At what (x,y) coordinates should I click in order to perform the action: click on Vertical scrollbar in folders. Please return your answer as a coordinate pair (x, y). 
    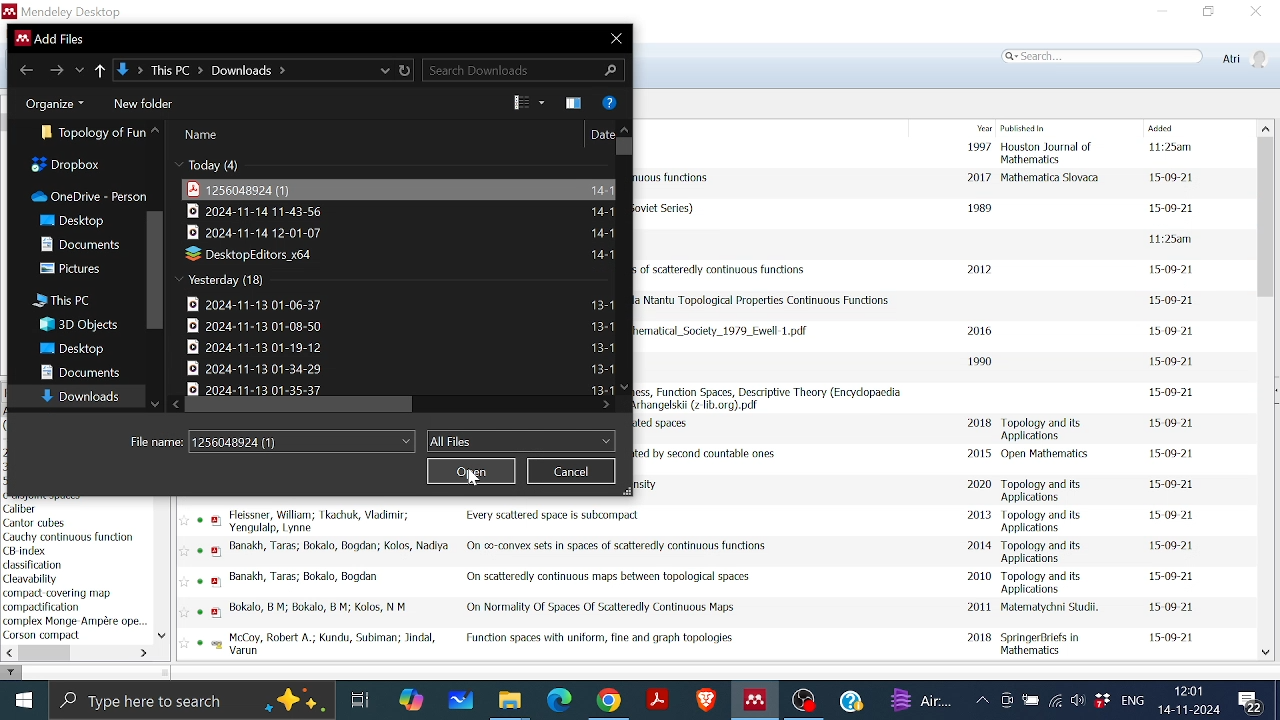
    Looking at the image, I should click on (158, 272).